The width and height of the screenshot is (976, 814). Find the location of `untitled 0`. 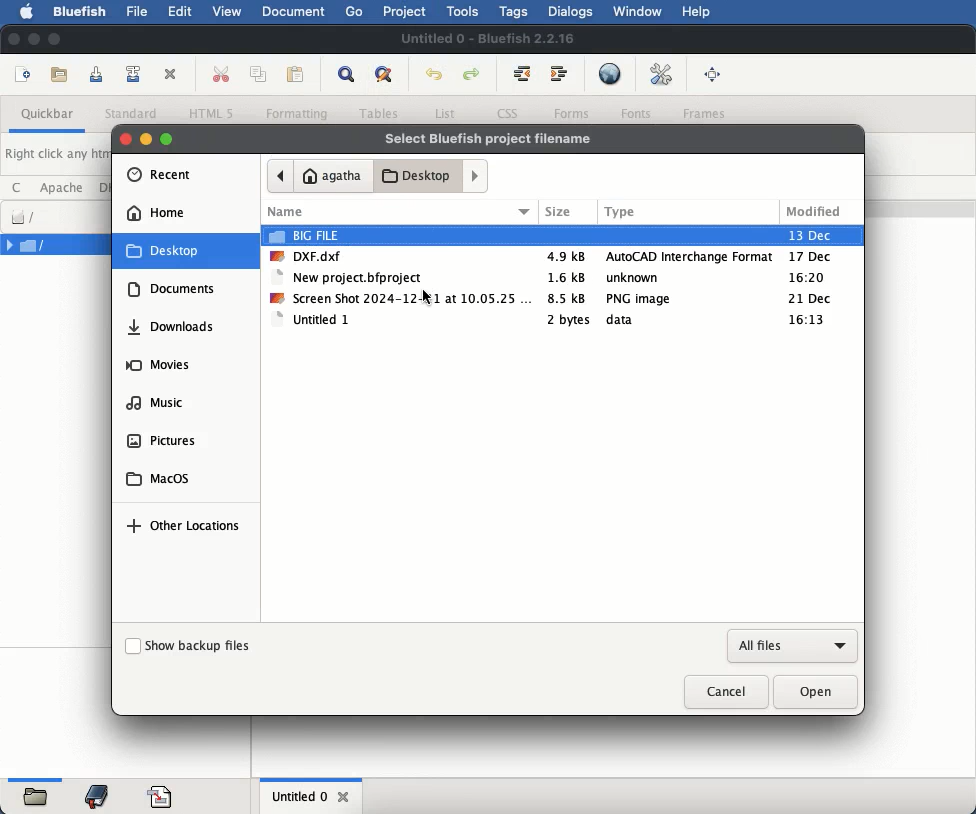

untitled 0 is located at coordinates (299, 799).